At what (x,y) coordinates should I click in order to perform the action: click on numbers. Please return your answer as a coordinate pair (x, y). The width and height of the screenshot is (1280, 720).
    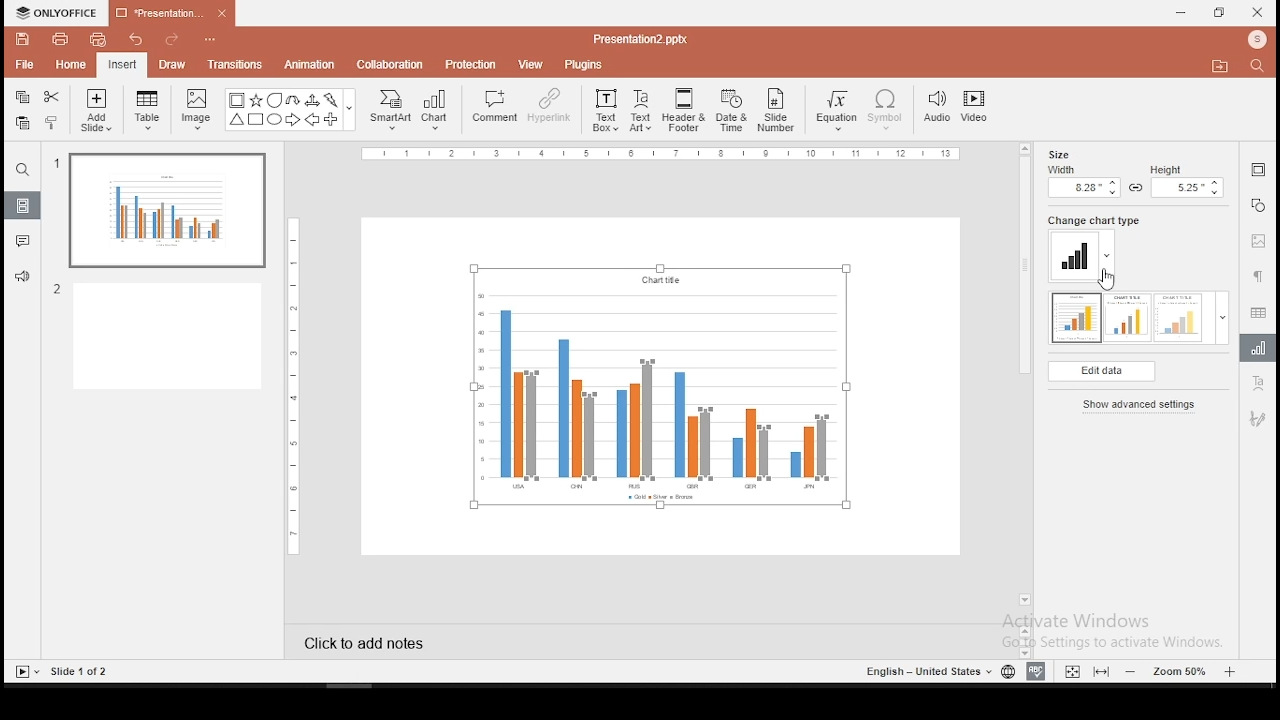
    Looking at the image, I should click on (59, 229).